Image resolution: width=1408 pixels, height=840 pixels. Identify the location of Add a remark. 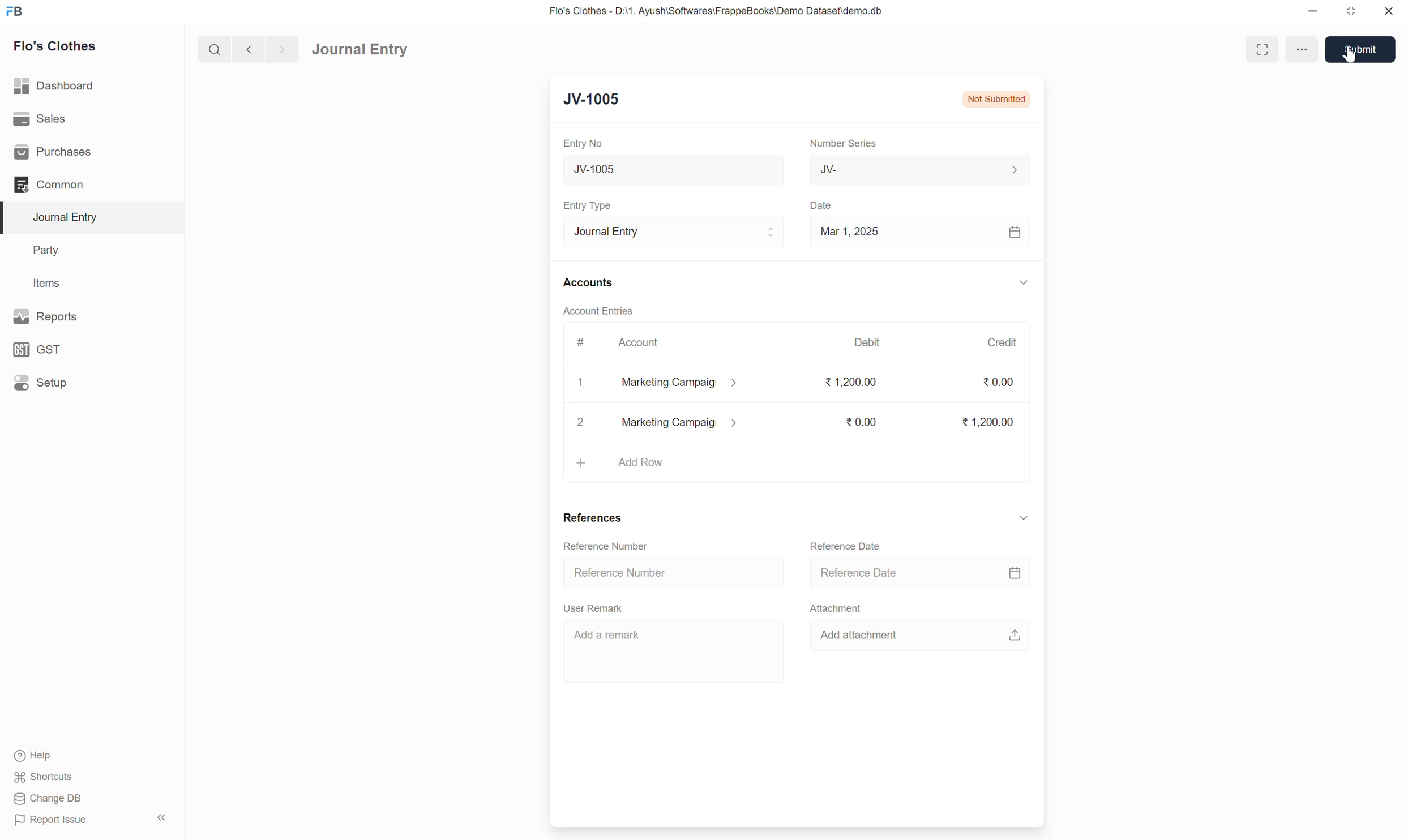
(609, 634).